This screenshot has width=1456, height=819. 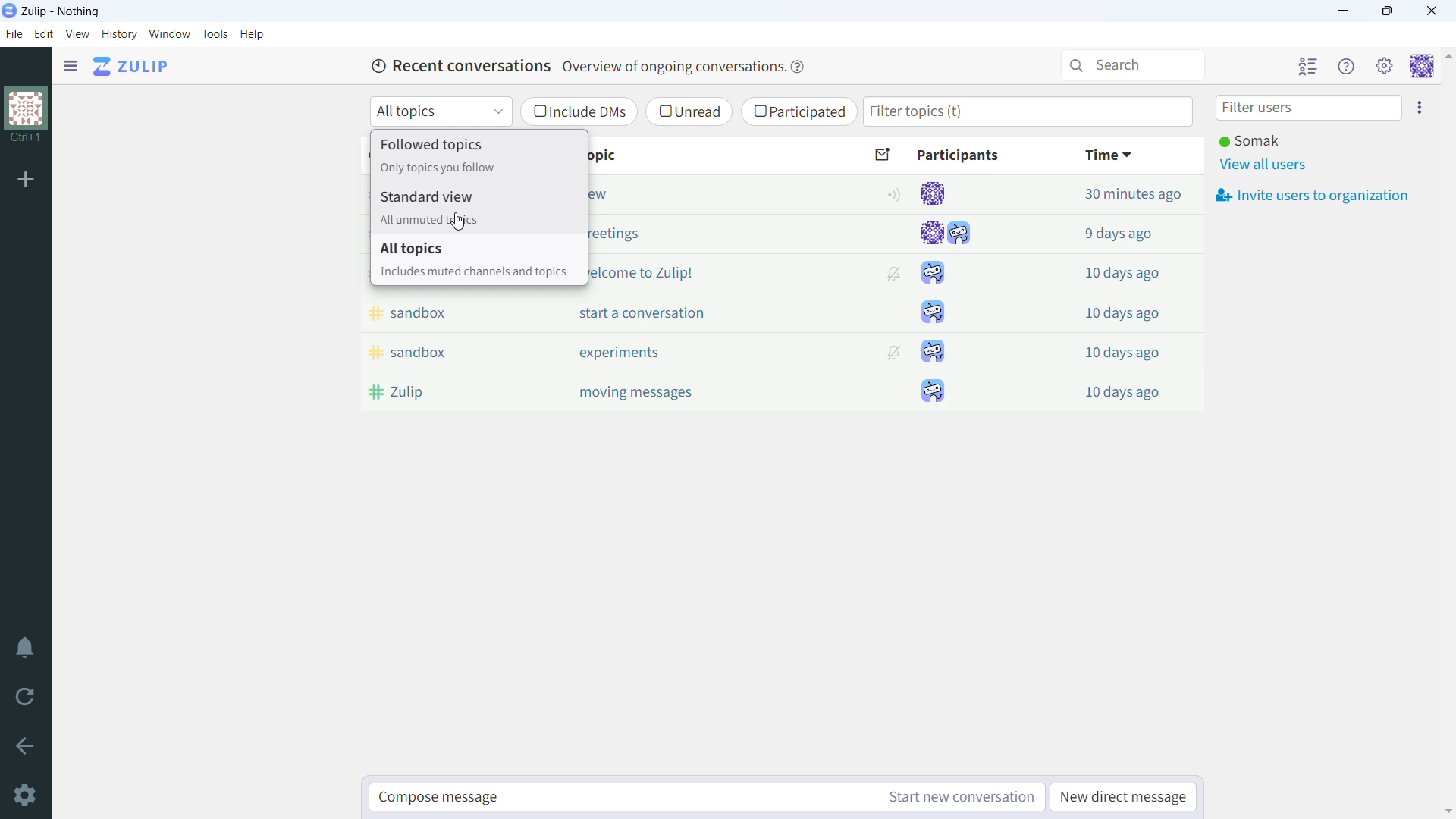 What do you see at coordinates (71, 66) in the screenshot?
I see `open sidebar menu` at bounding box center [71, 66].